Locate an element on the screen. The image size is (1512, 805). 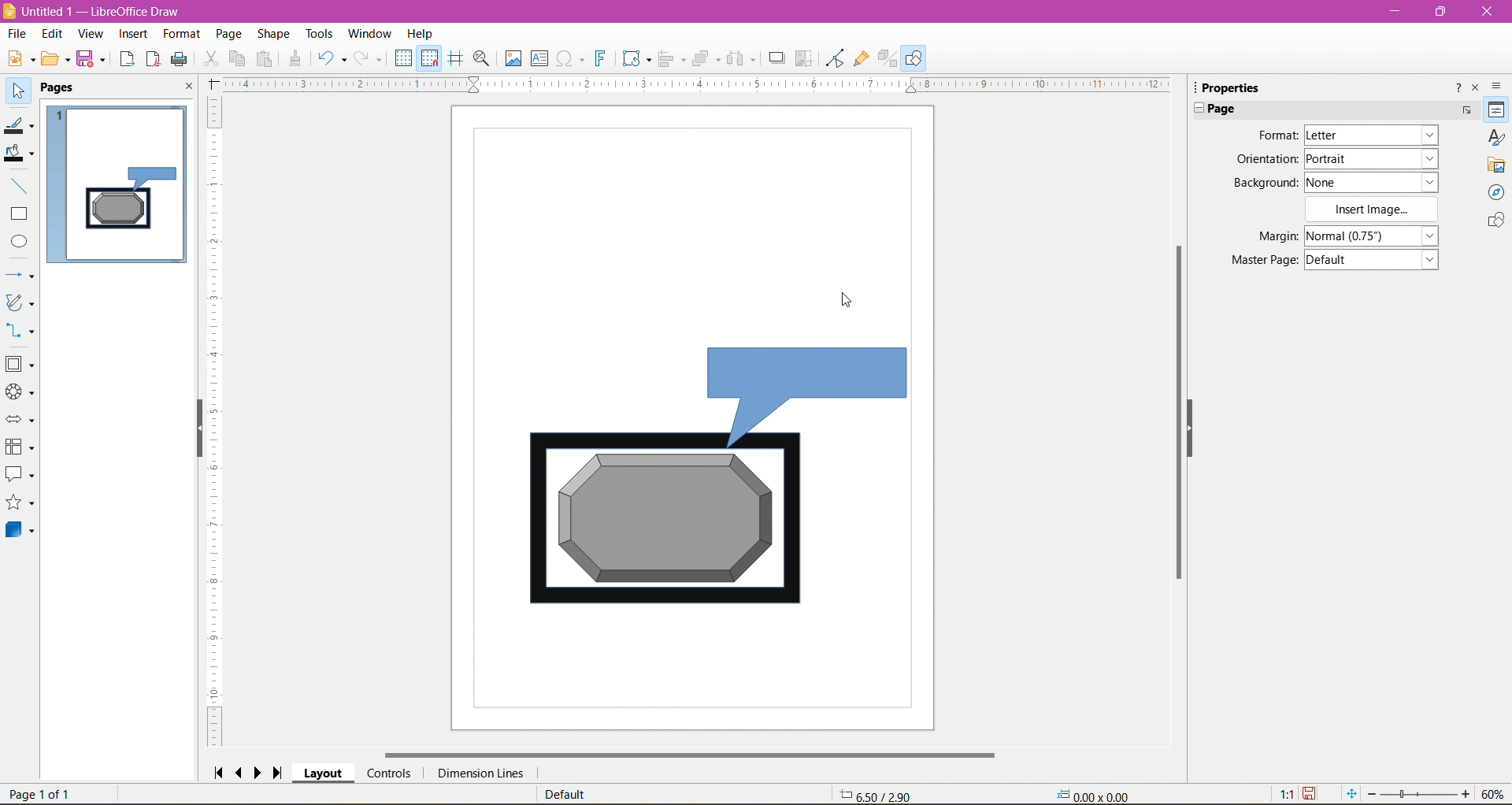
Pages is located at coordinates (61, 88).